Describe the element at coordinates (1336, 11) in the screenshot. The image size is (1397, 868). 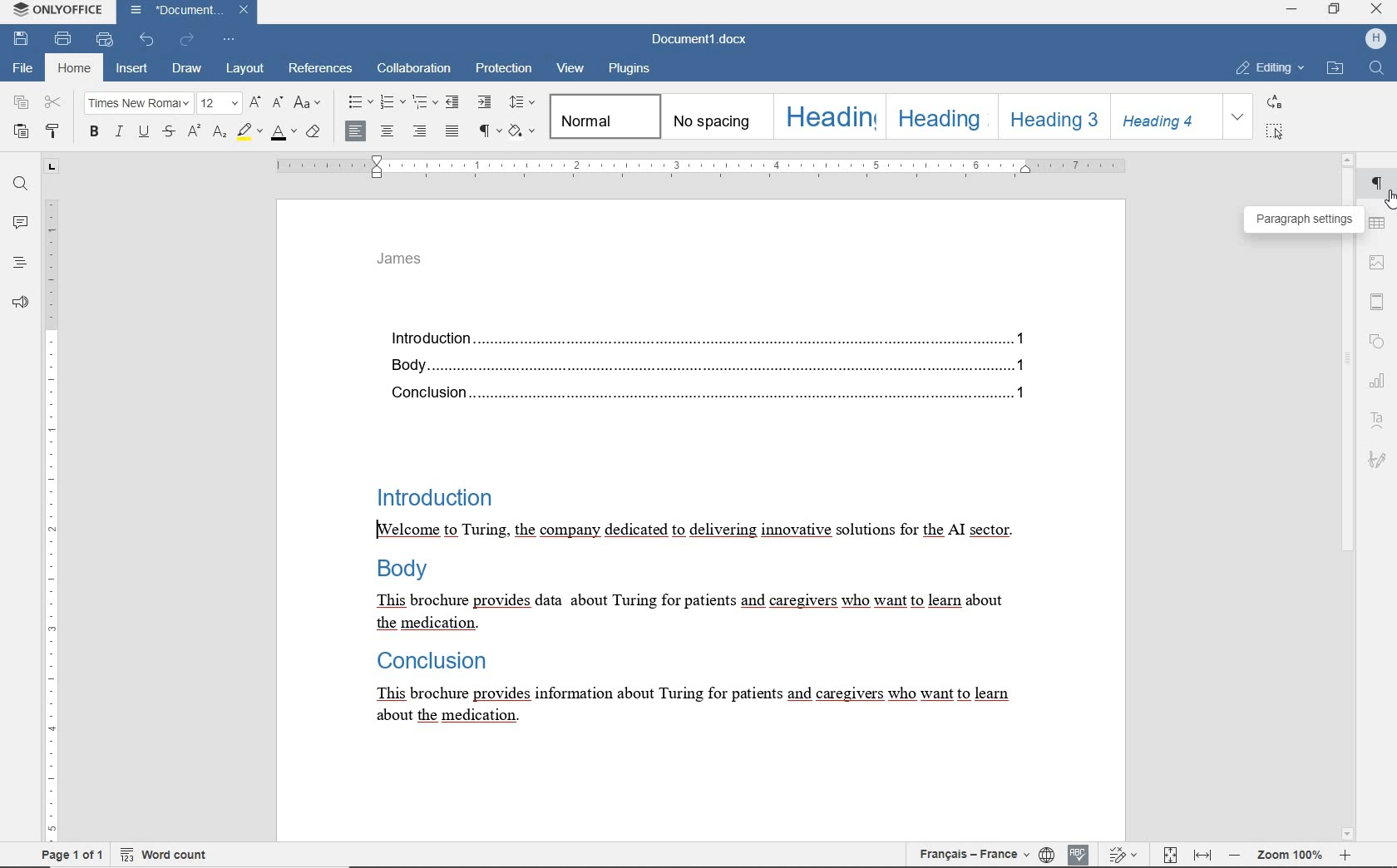
I see `restore down` at that location.